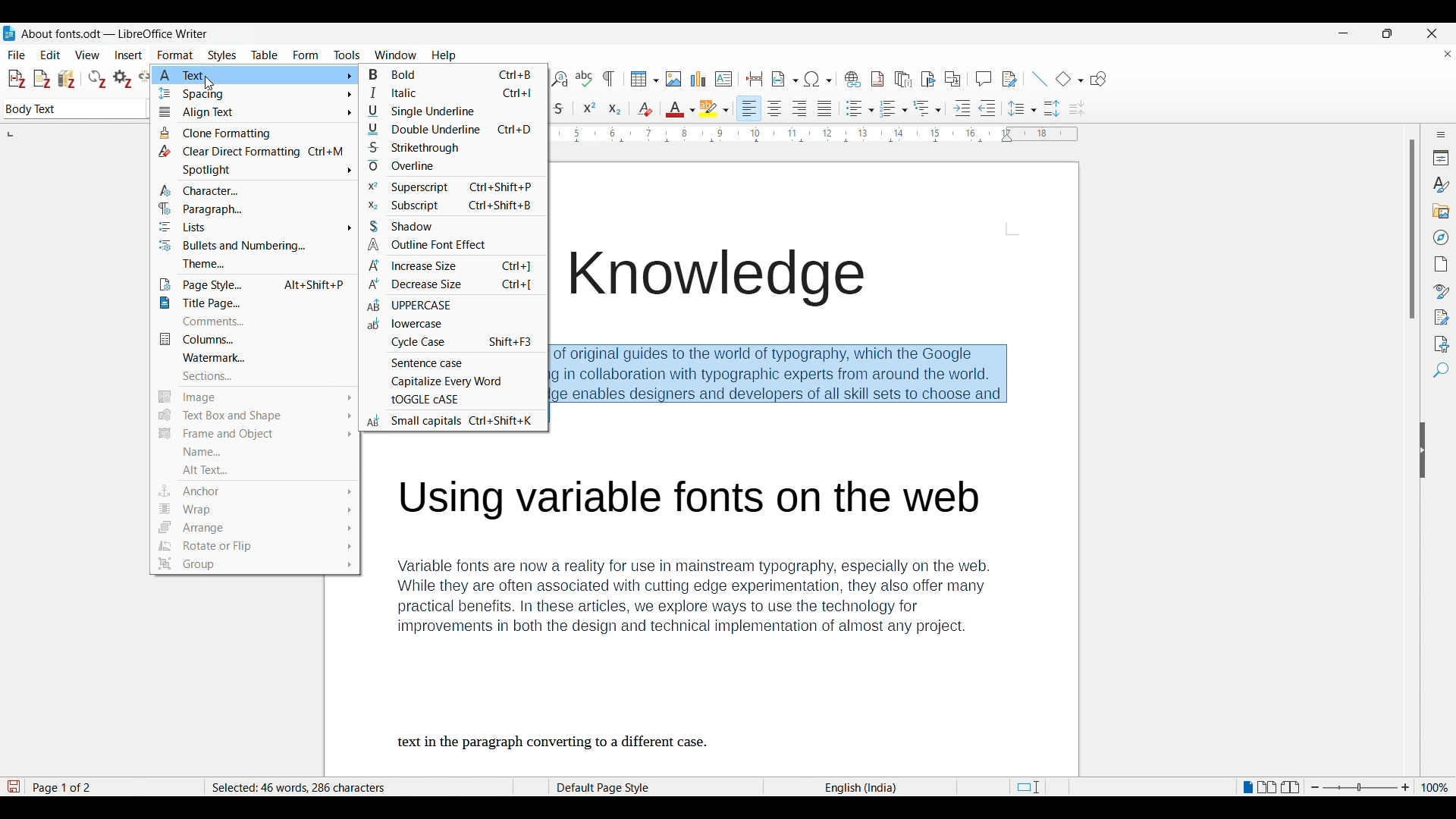 This screenshot has width=1456, height=819. What do you see at coordinates (310, 787) in the screenshot?
I see `Words and character count of selected text` at bounding box center [310, 787].